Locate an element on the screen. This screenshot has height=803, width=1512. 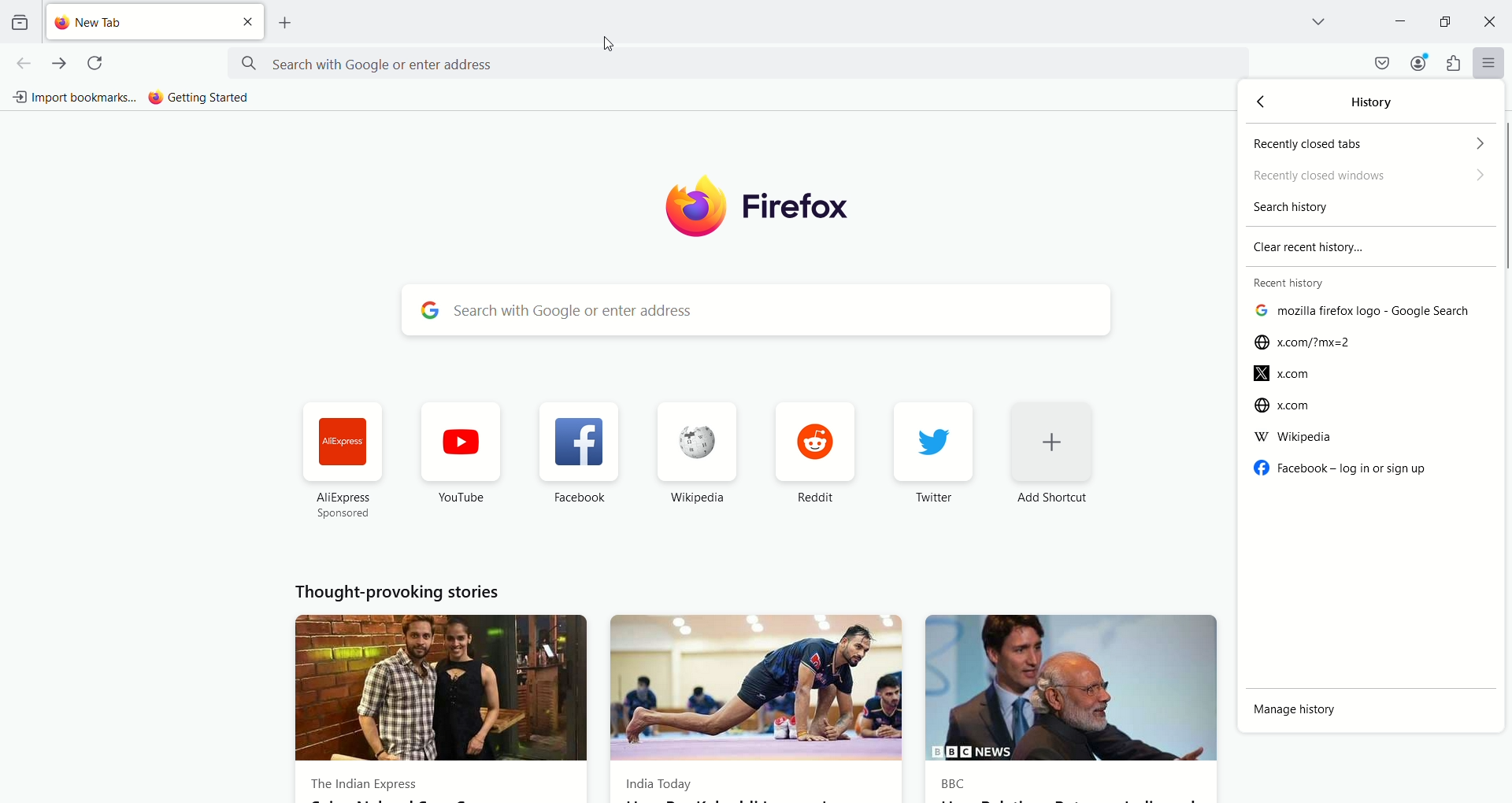
save to pocket is located at coordinates (1377, 62).